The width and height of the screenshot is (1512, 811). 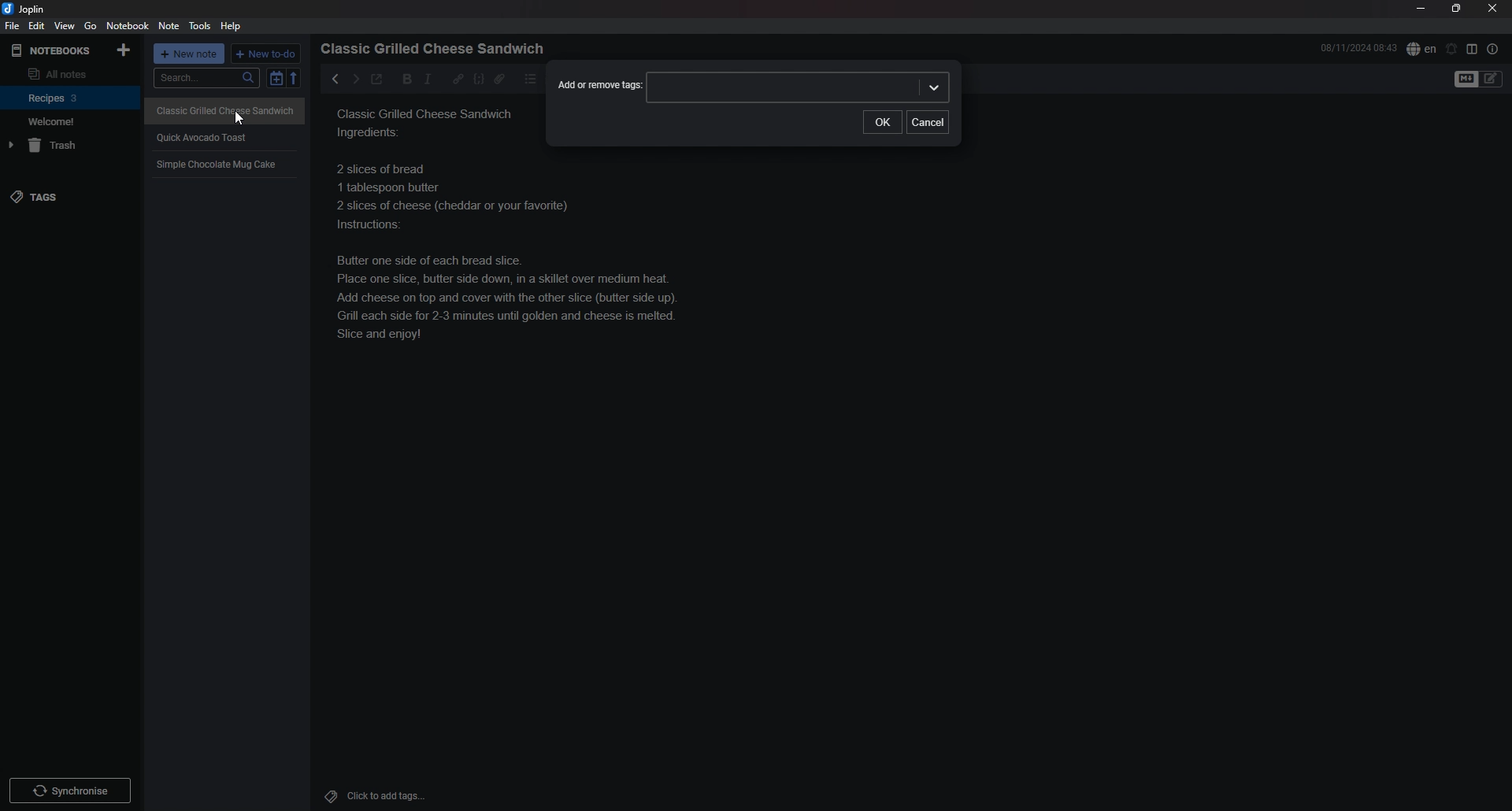 I want to click on all notes, so click(x=68, y=73).